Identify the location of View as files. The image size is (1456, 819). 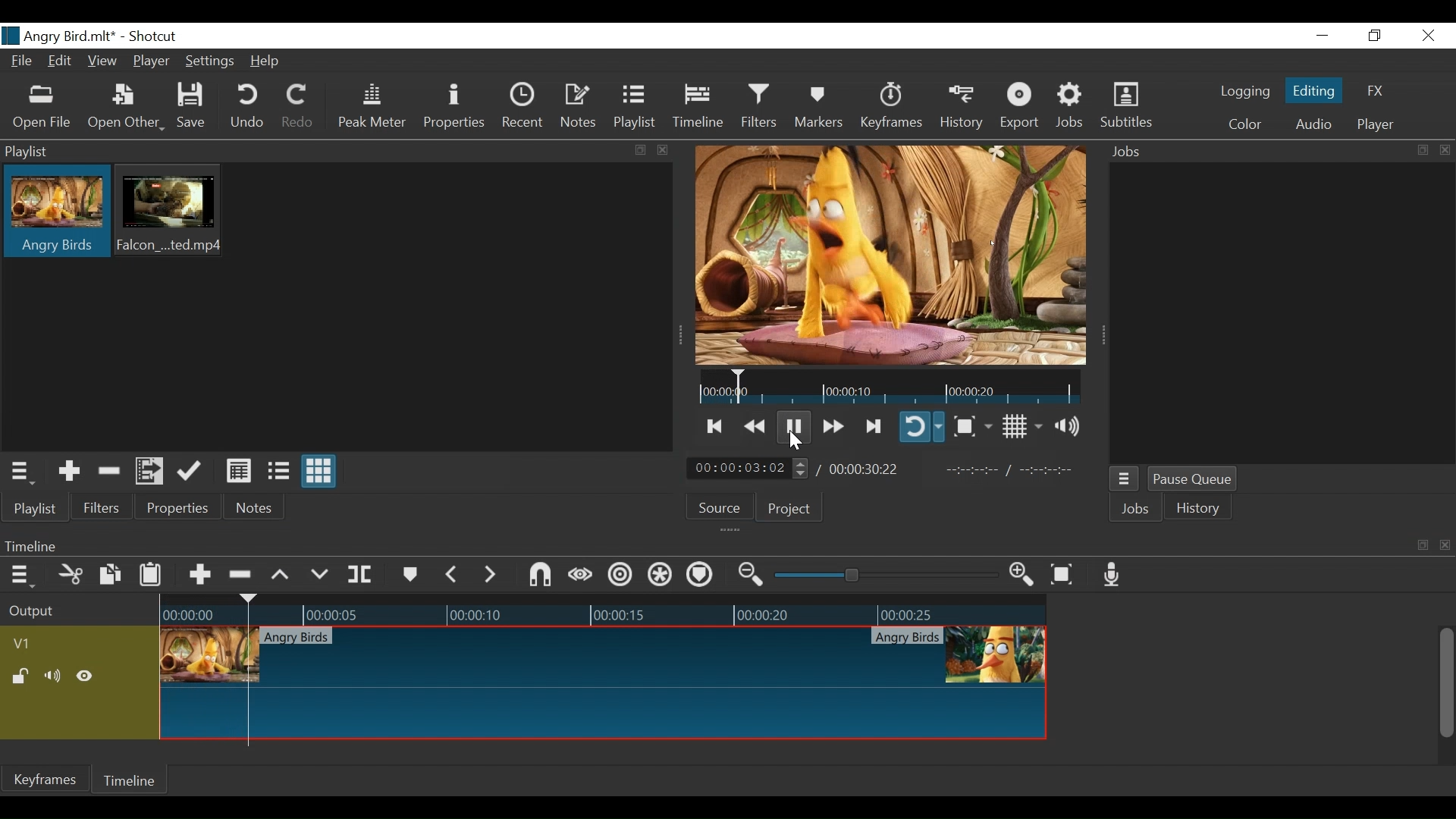
(277, 469).